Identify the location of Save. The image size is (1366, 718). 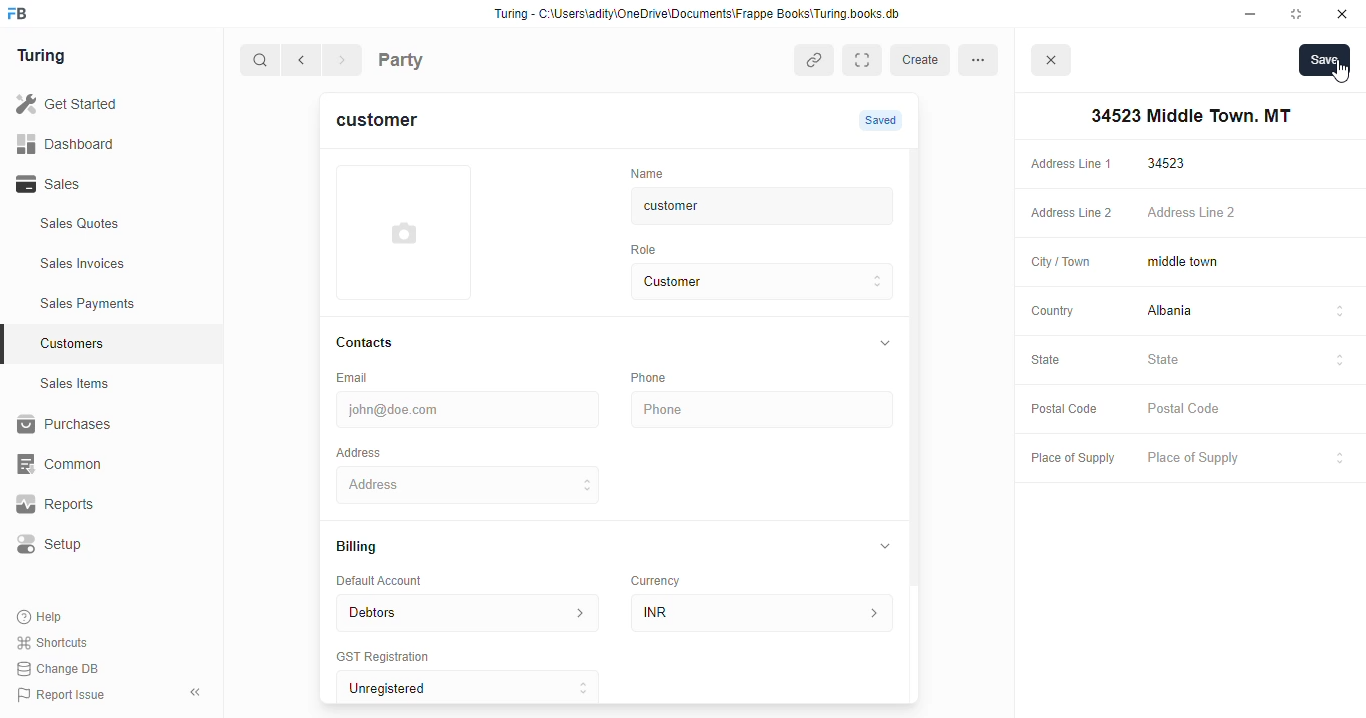
(1324, 59).